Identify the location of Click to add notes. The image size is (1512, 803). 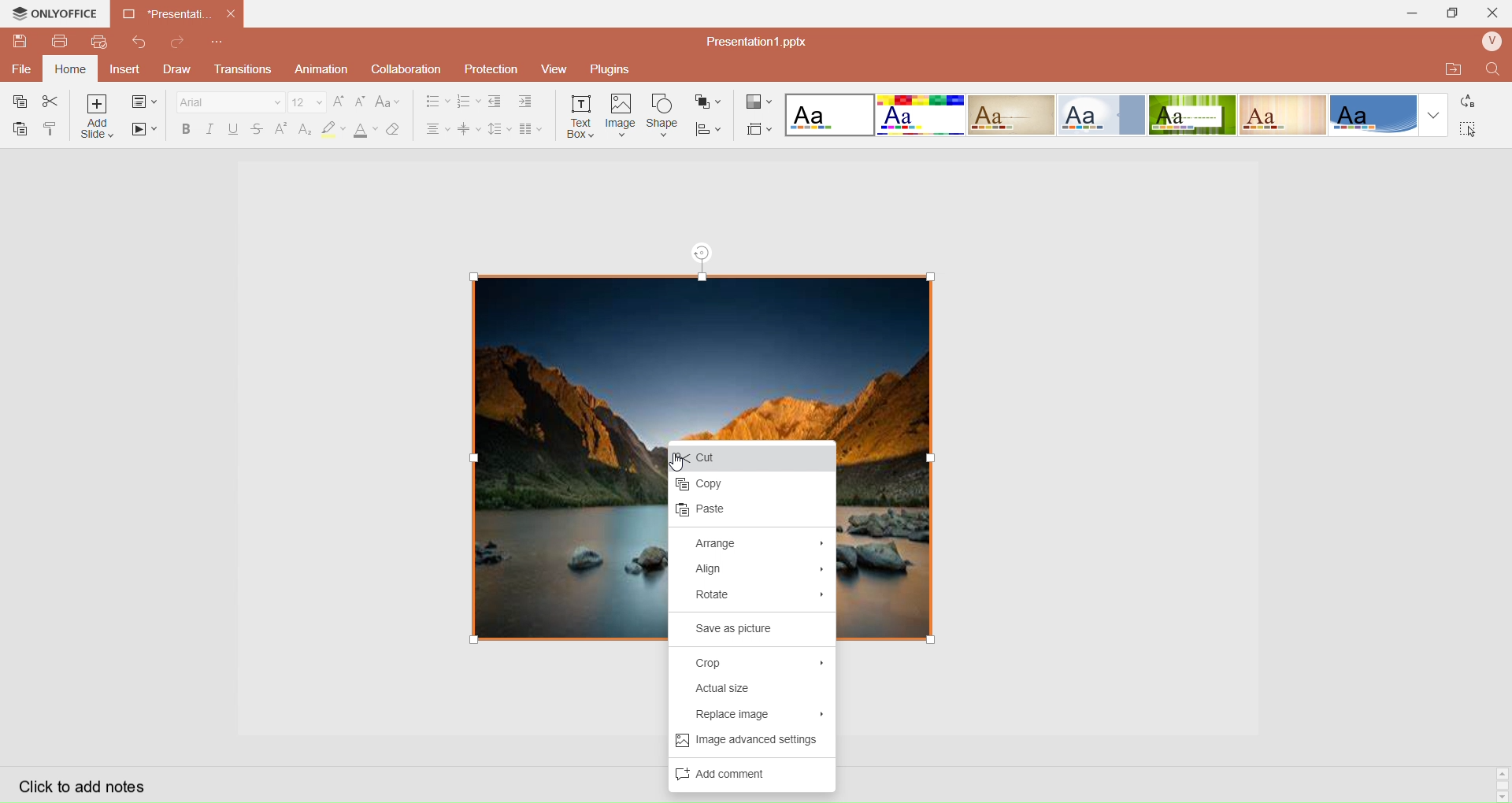
(87, 785).